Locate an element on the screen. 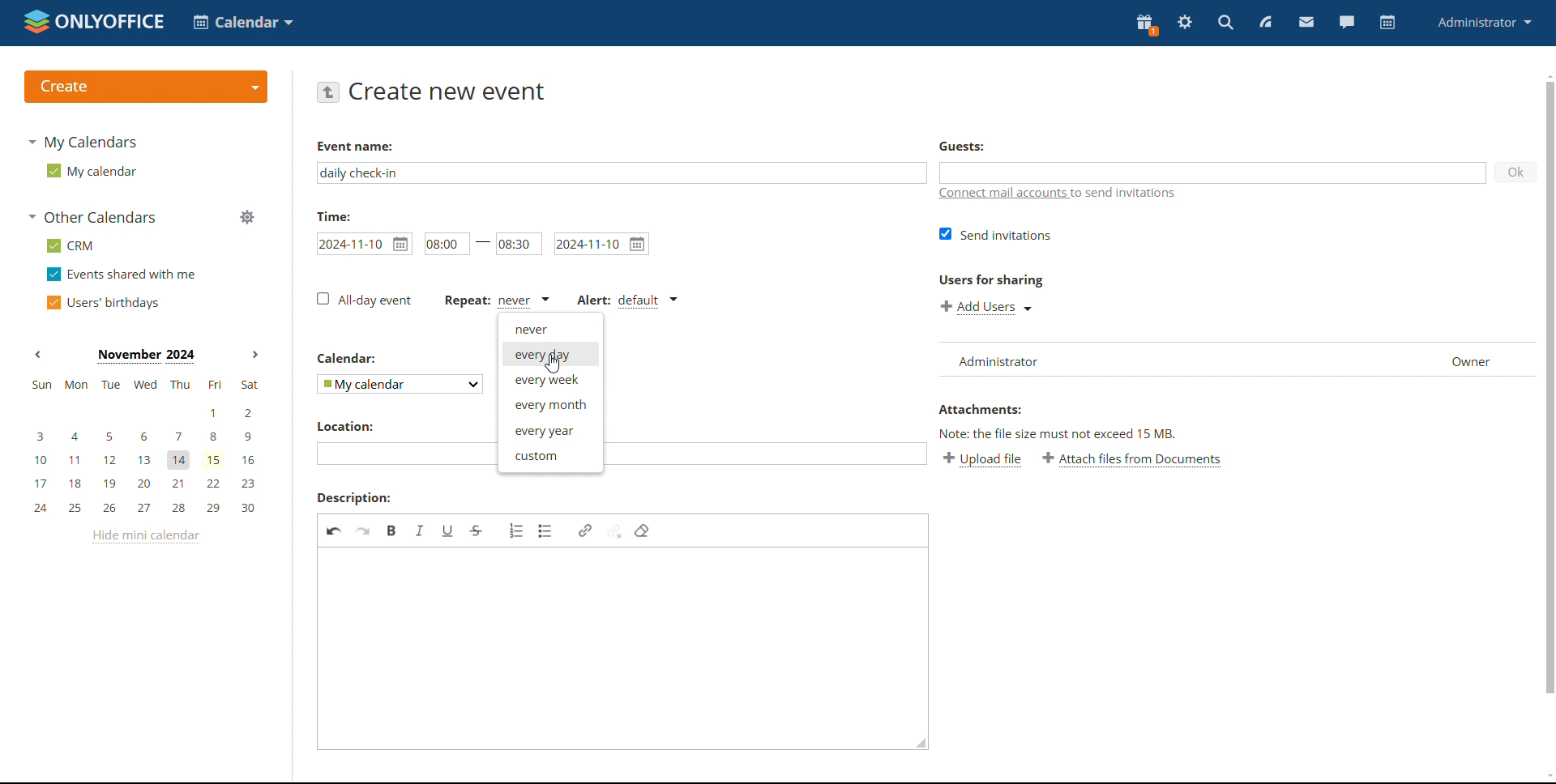  undo is located at coordinates (334, 530).